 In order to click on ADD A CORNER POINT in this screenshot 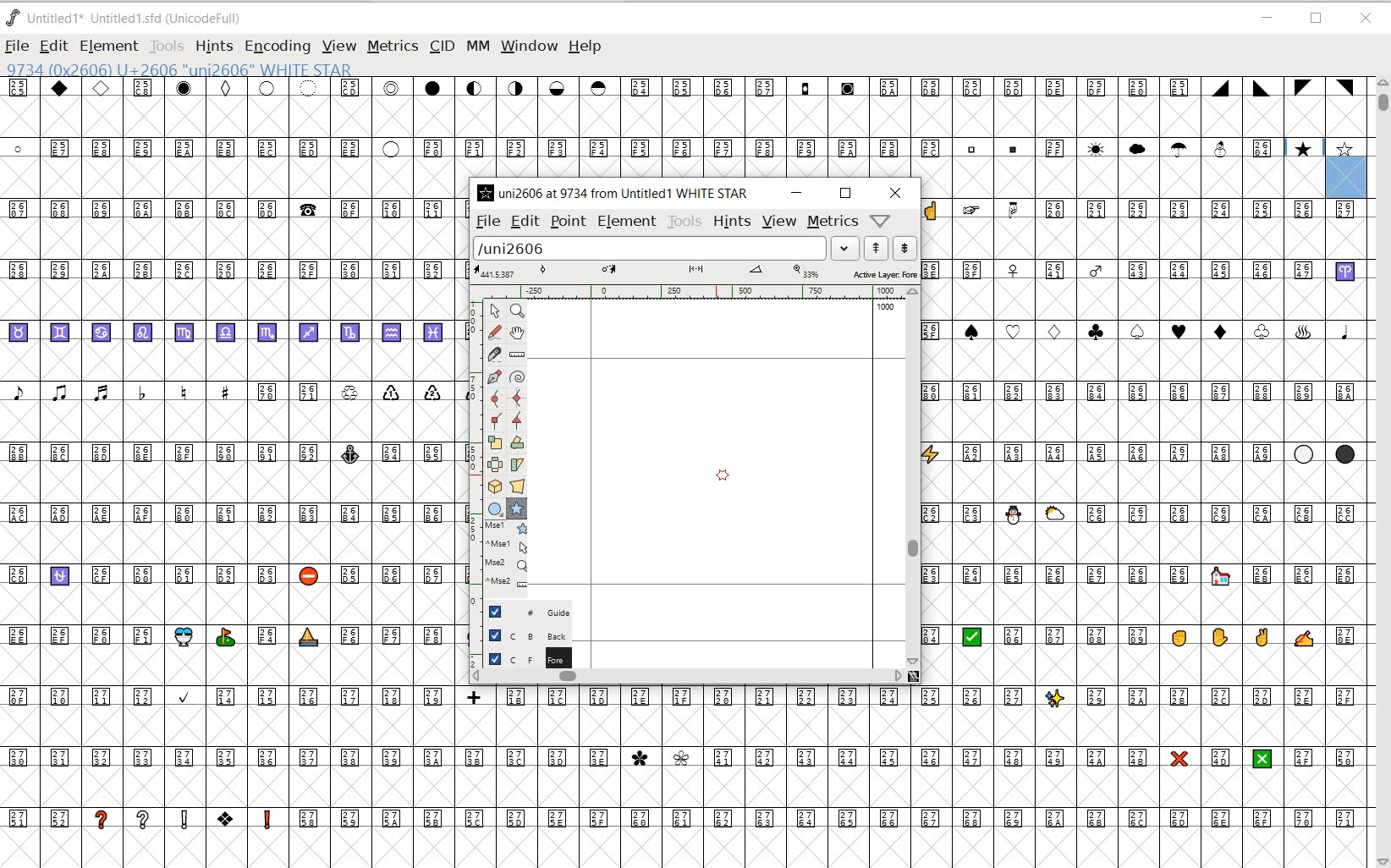, I will do `click(498, 422)`.